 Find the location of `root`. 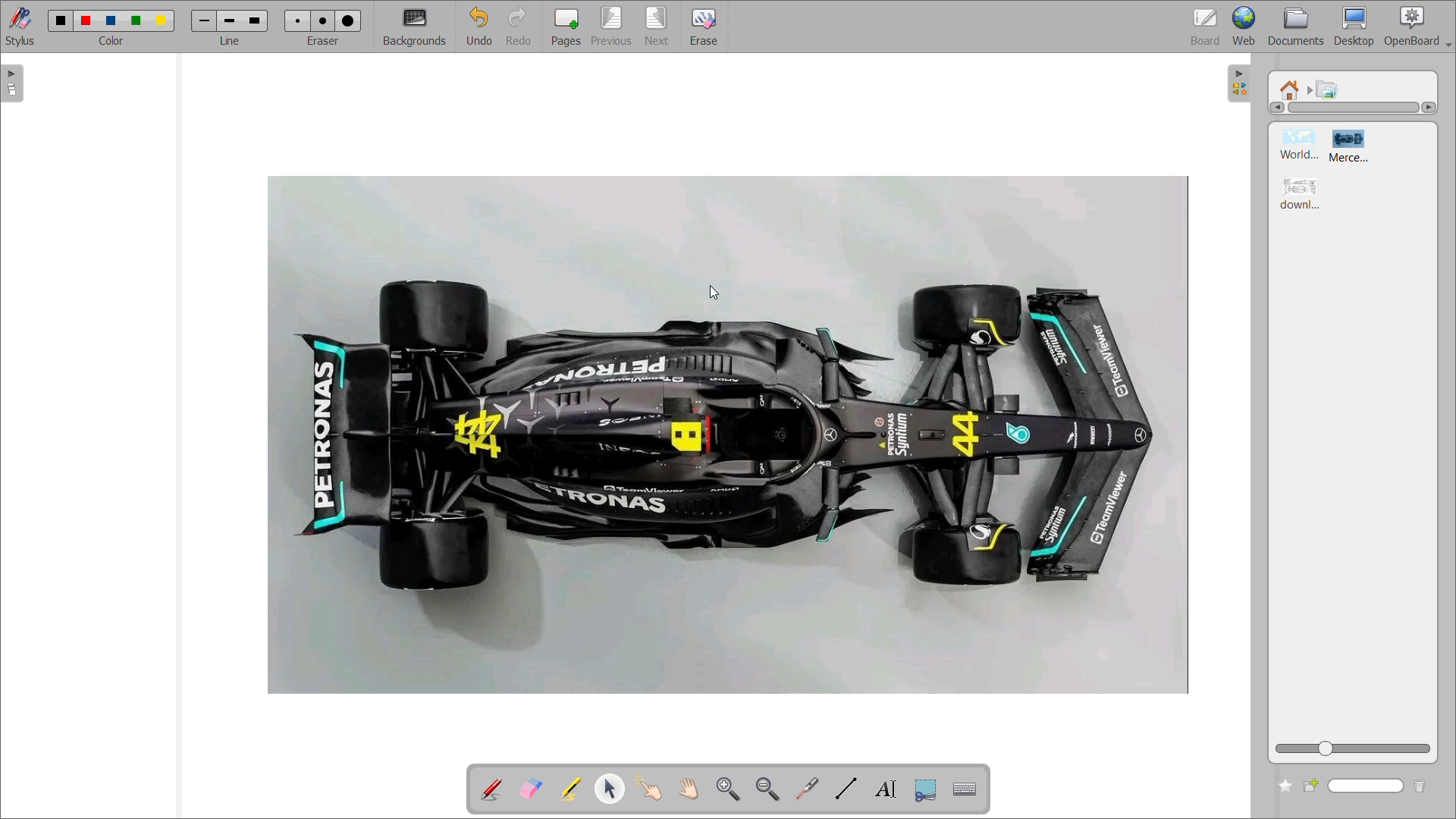

root is located at coordinates (1288, 90).